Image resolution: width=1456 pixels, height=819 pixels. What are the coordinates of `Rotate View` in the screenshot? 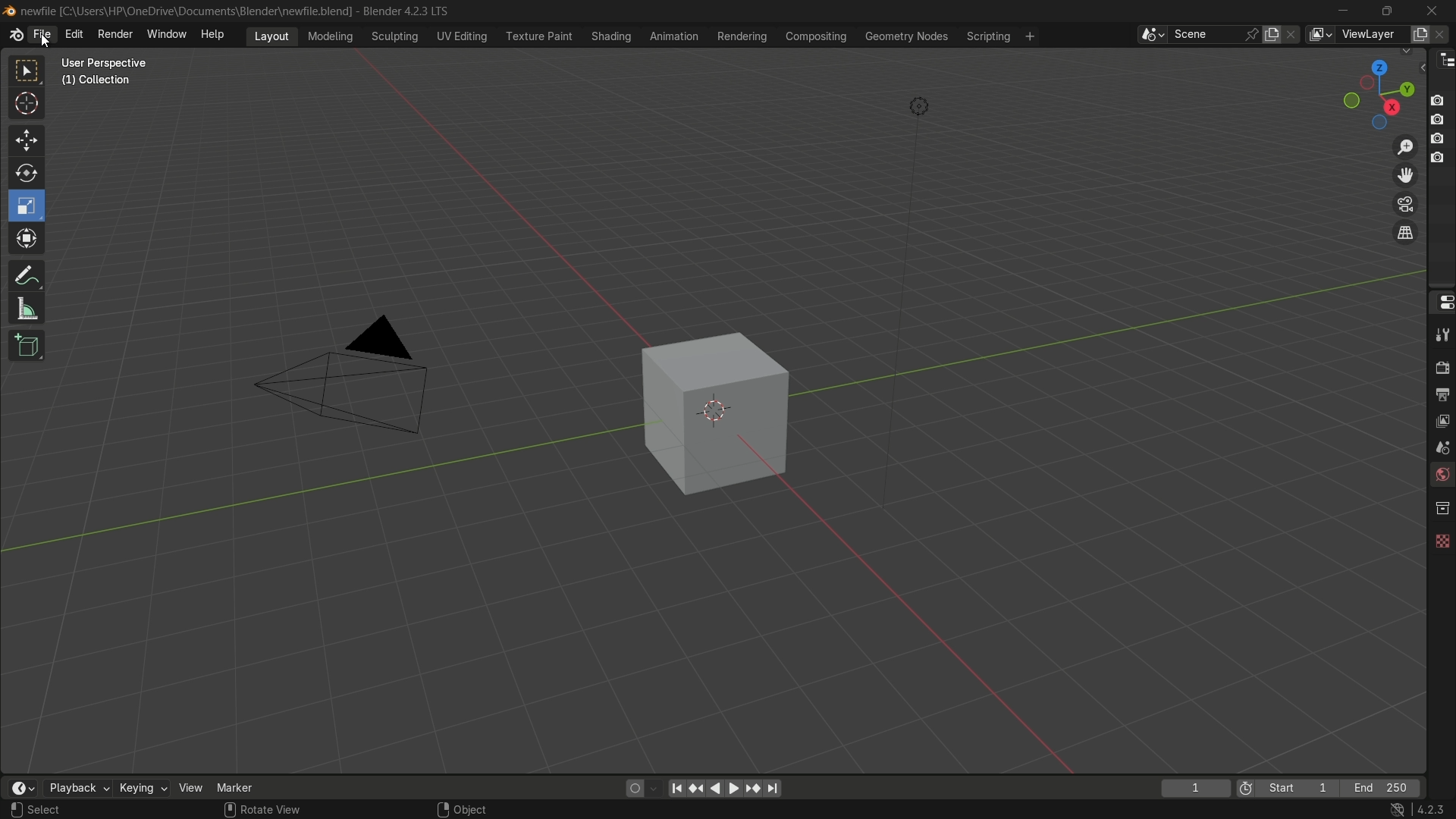 It's located at (262, 810).